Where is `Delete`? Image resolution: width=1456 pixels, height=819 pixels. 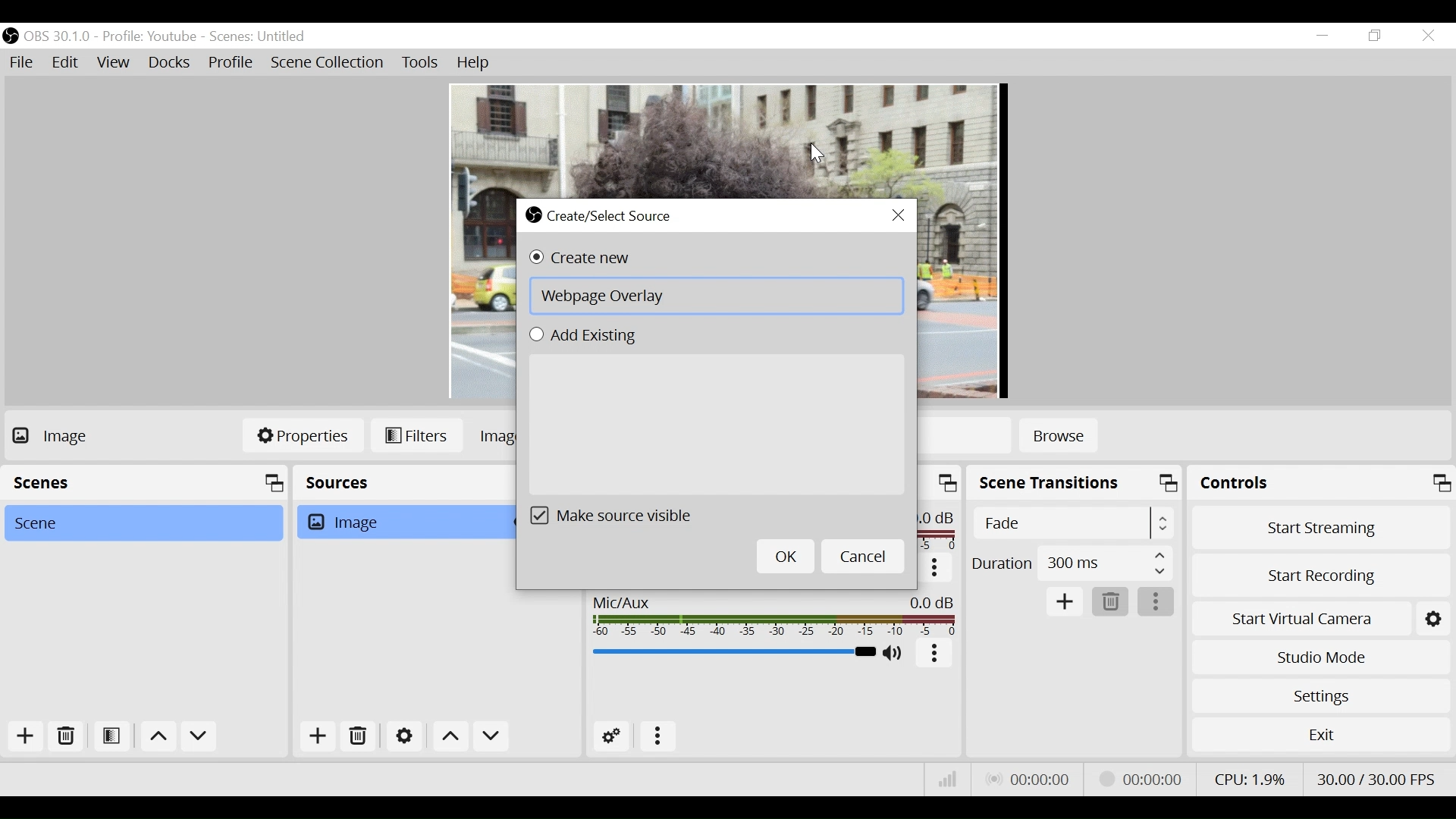 Delete is located at coordinates (358, 736).